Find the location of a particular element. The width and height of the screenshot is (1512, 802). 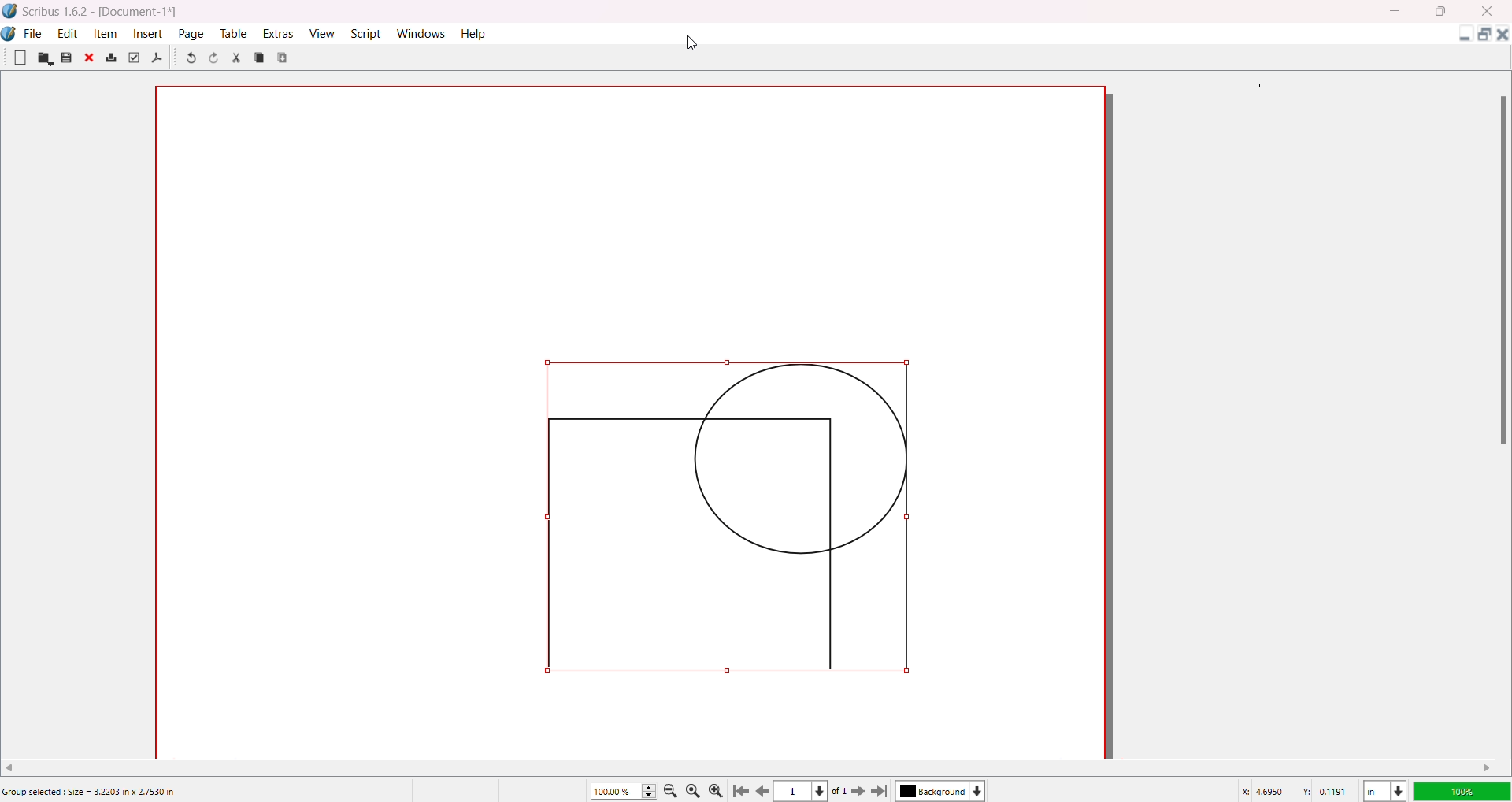

Table is located at coordinates (232, 33).